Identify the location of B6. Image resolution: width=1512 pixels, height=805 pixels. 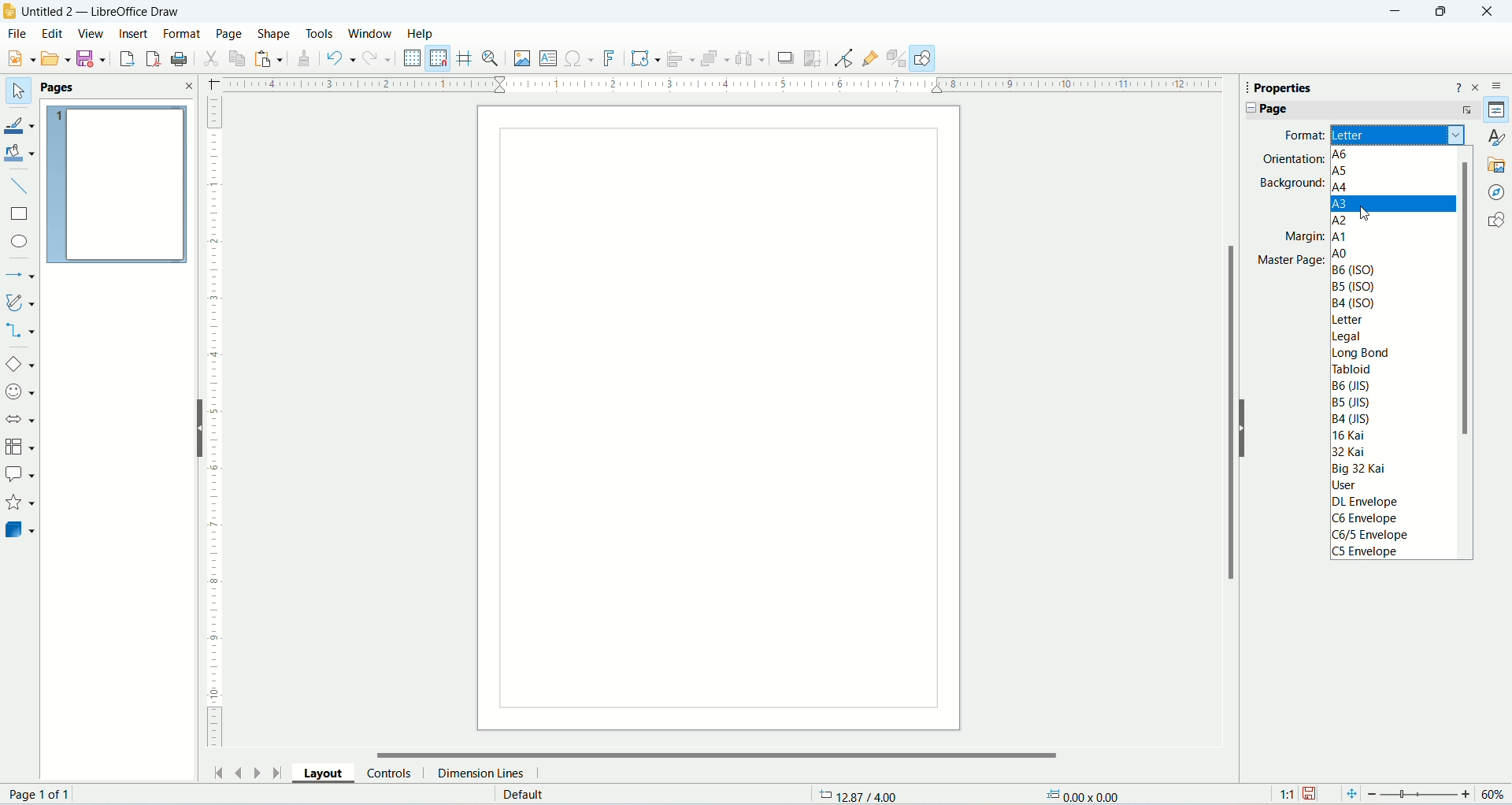
(1351, 384).